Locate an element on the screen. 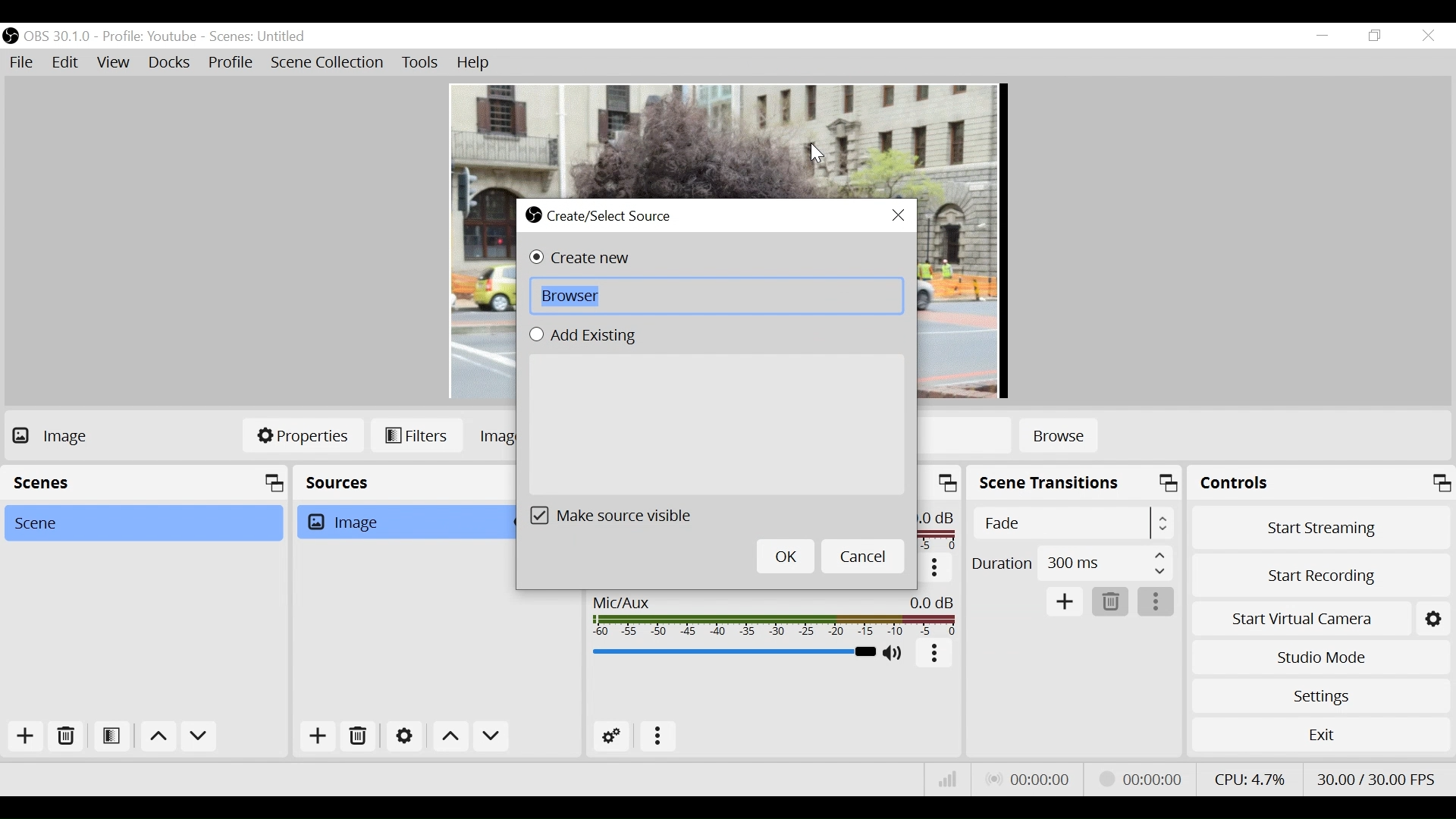 This screenshot has height=819, width=1456. View is located at coordinates (113, 64).